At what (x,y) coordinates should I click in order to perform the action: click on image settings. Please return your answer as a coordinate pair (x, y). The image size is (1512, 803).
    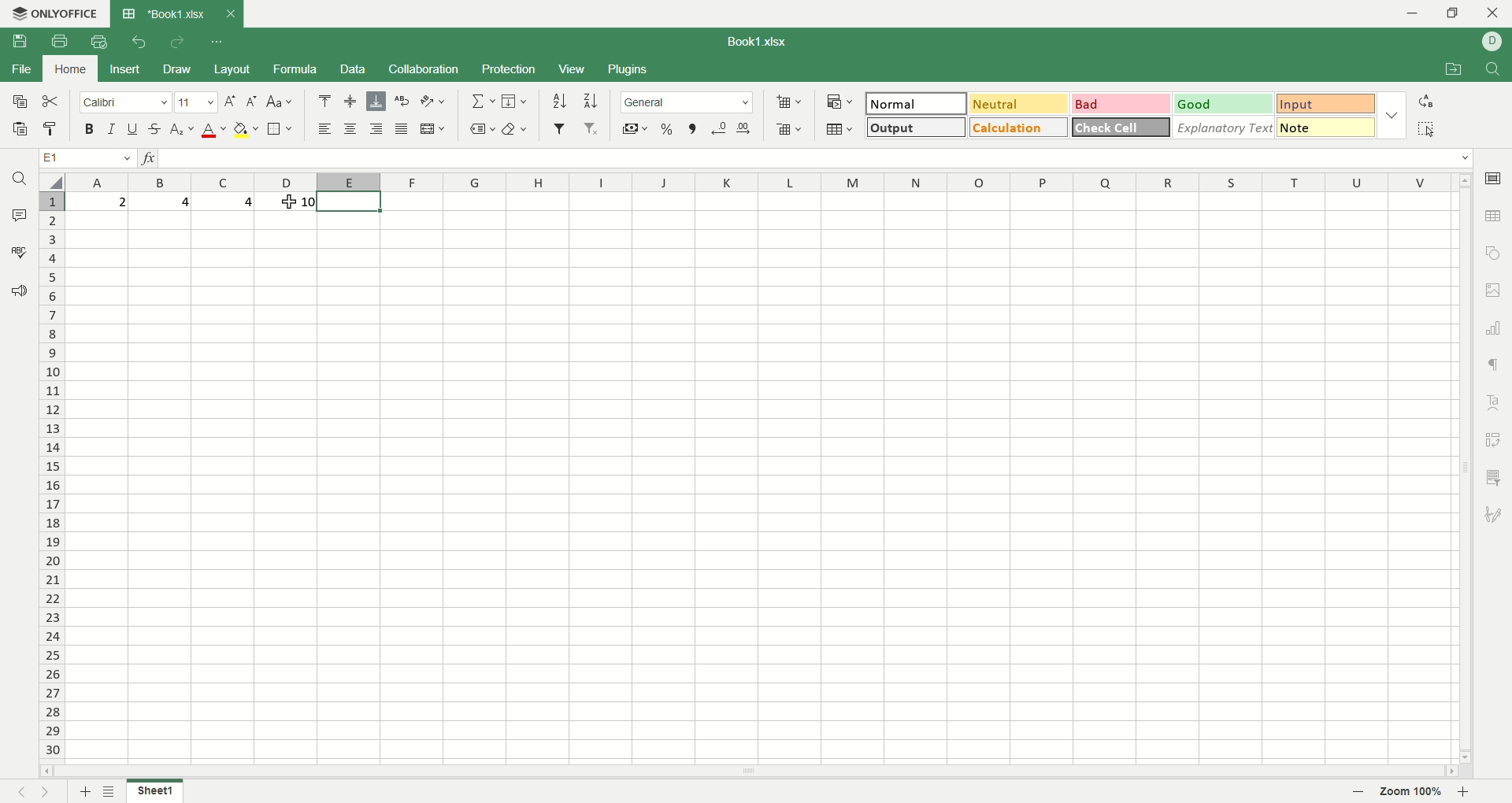
    Looking at the image, I should click on (1496, 291).